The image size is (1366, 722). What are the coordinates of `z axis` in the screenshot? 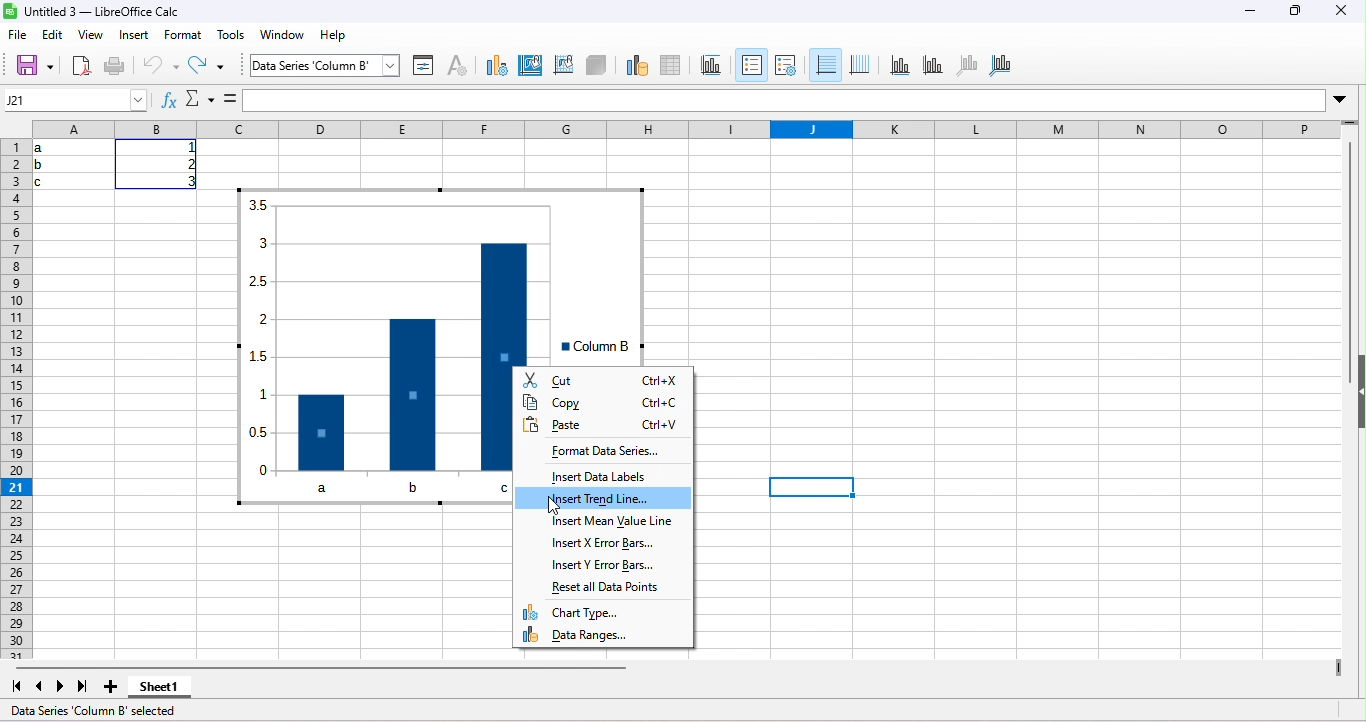 It's located at (971, 64).